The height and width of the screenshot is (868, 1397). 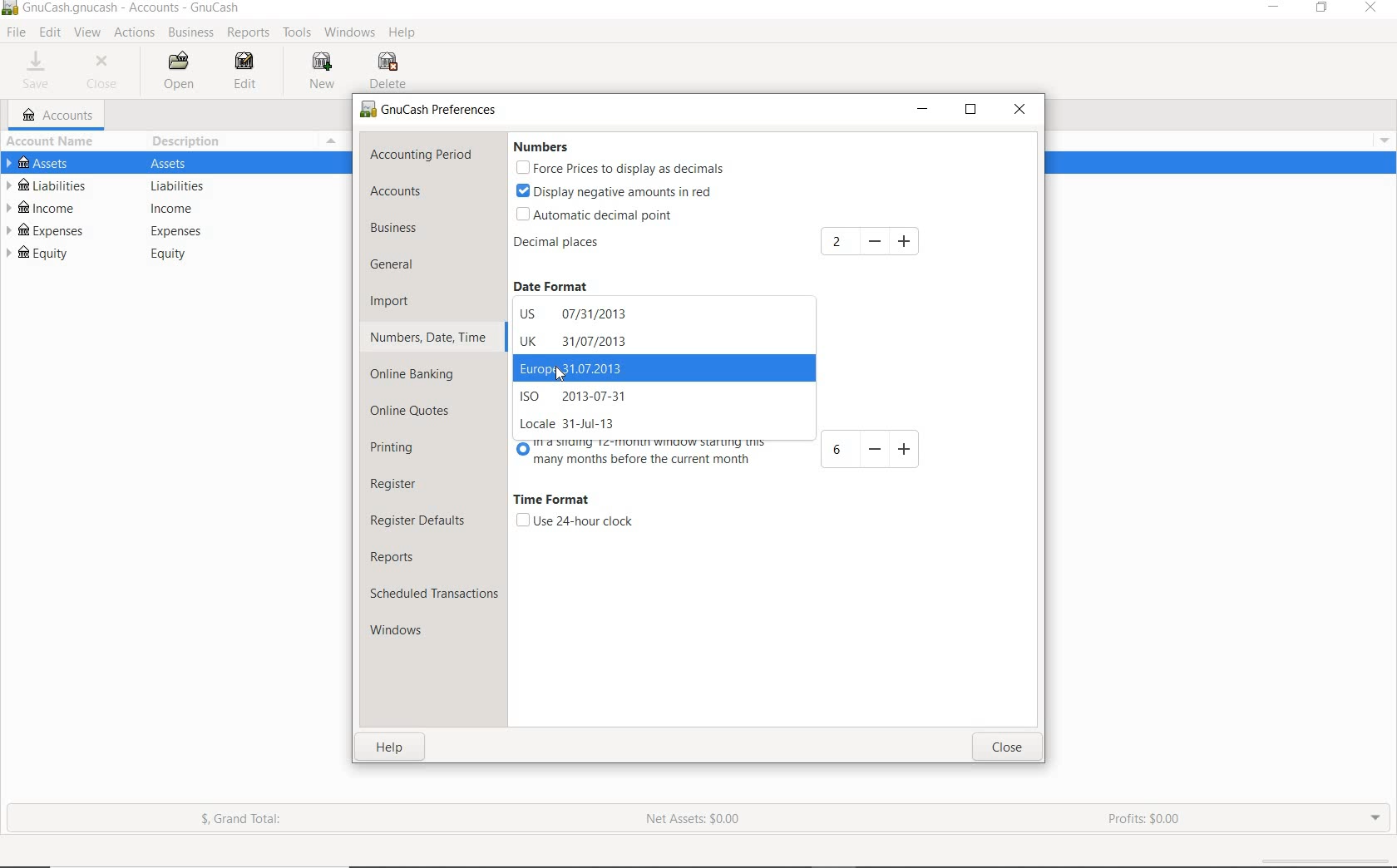 What do you see at coordinates (1276, 9) in the screenshot?
I see `MINIMIZE` at bounding box center [1276, 9].